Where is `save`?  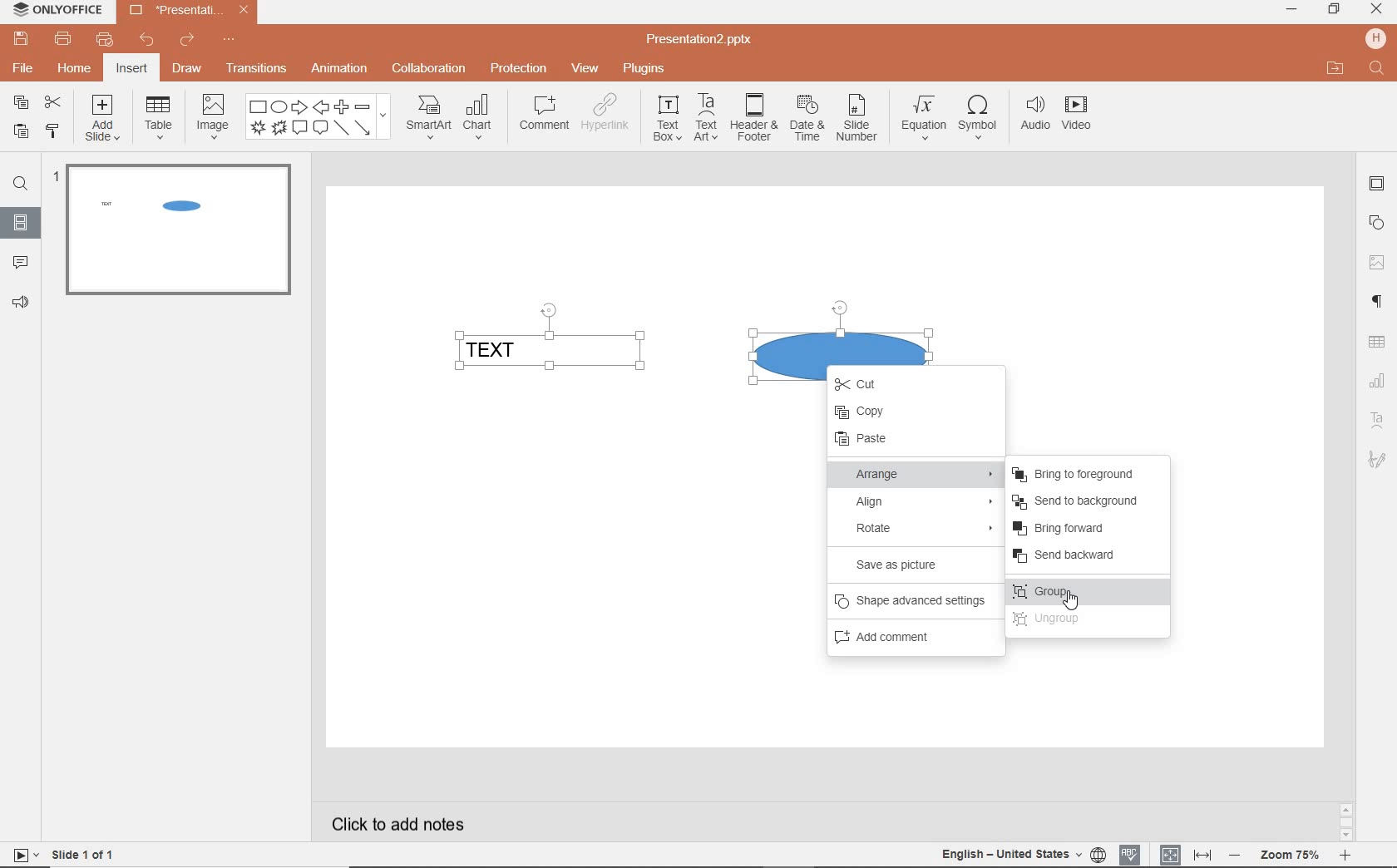
save is located at coordinates (18, 38).